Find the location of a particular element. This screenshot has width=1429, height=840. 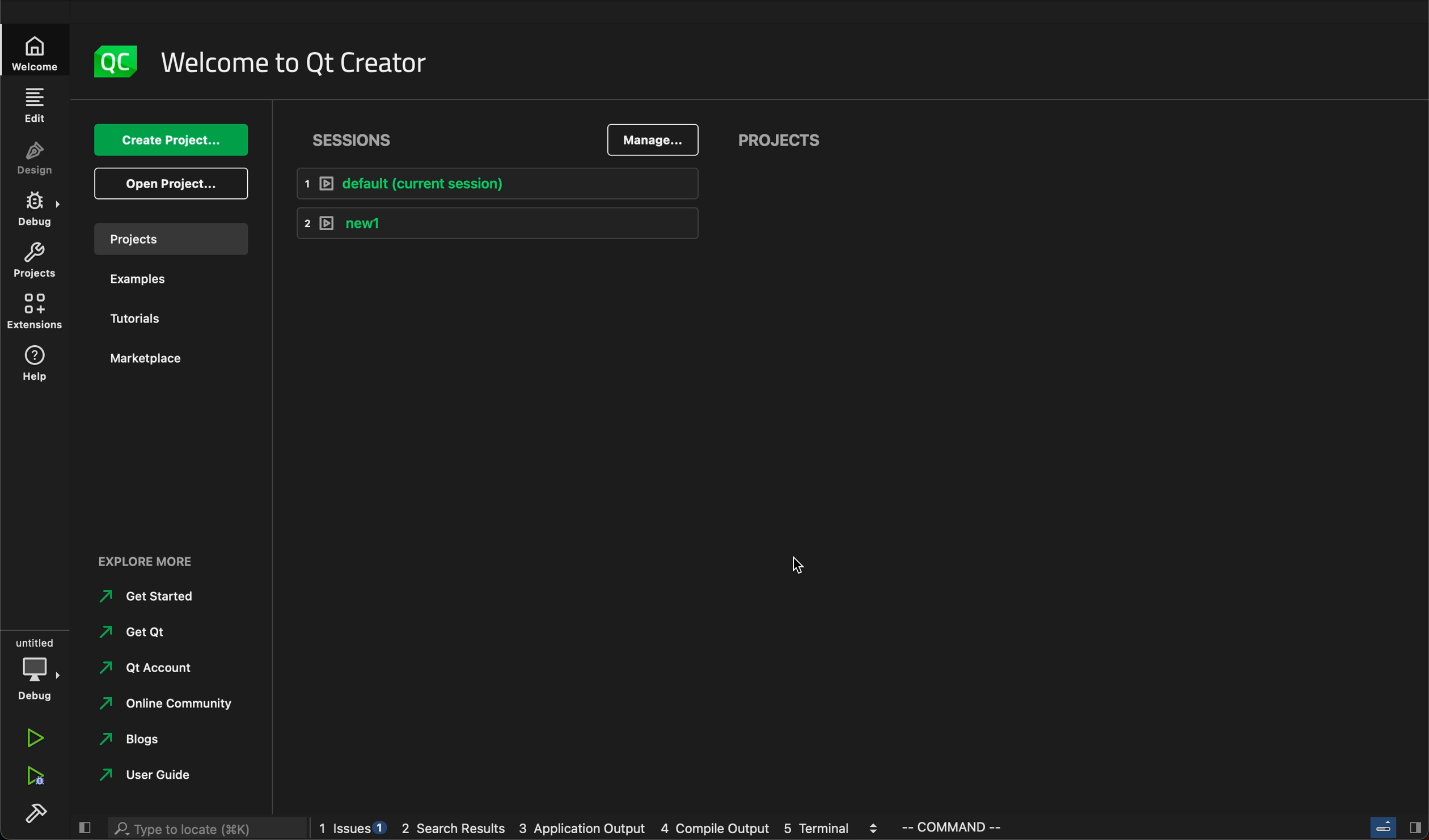

guide is located at coordinates (160, 776).